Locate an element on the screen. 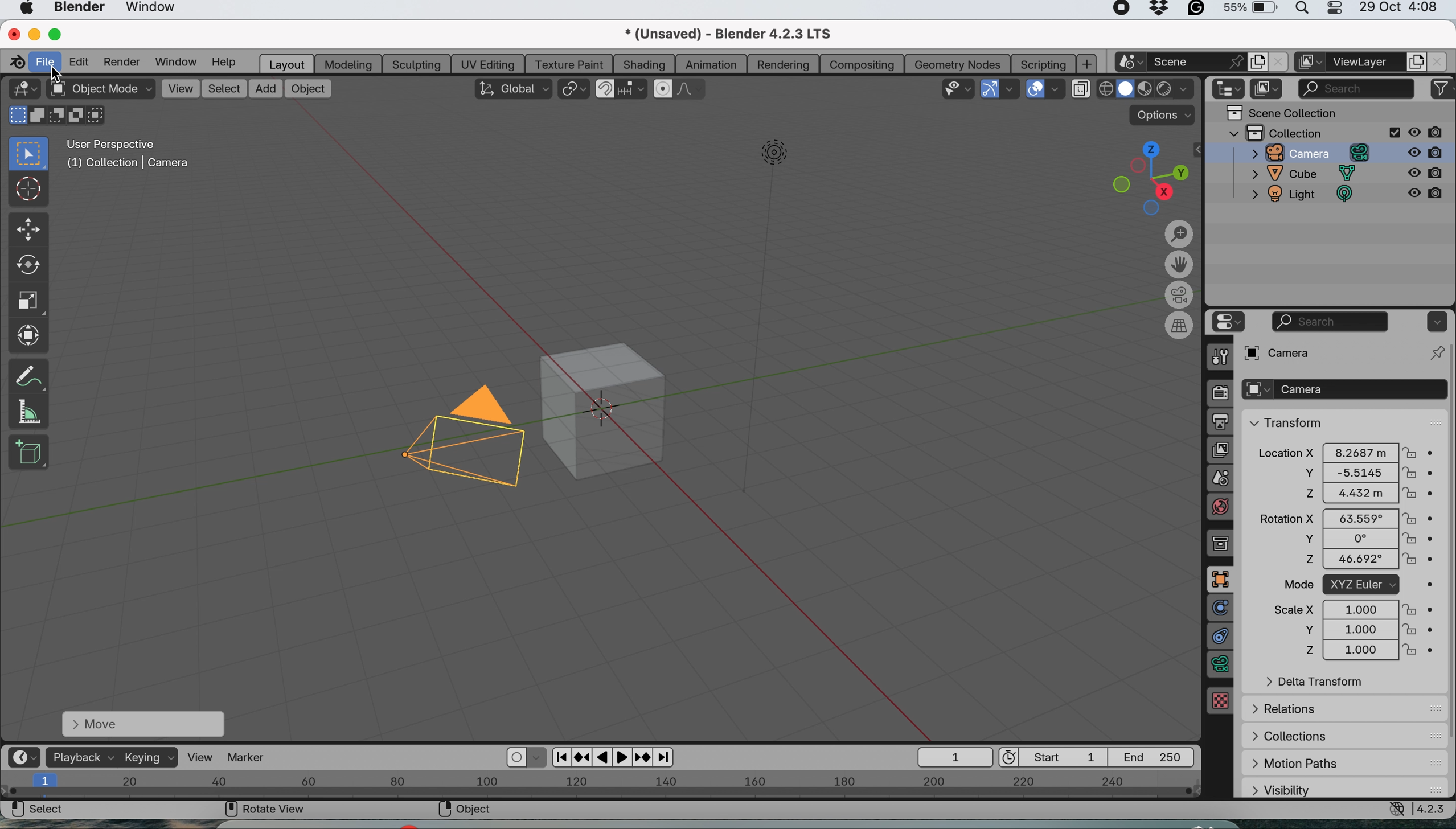 Image resolution: width=1456 pixels, height=829 pixels. network settings is located at coordinates (1395, 810).